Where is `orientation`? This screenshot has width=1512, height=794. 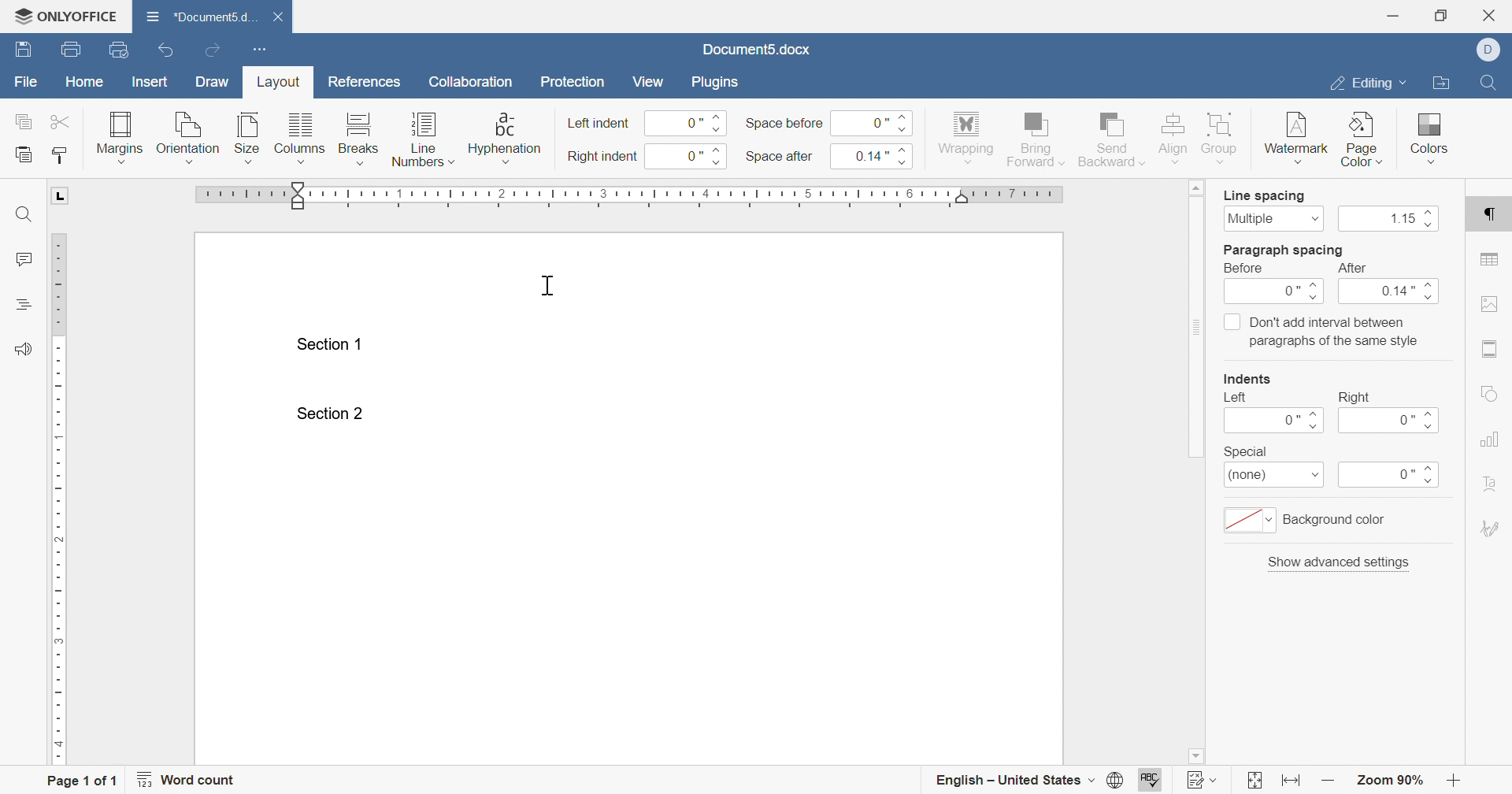 orientation is located at coordinates (188, 136).